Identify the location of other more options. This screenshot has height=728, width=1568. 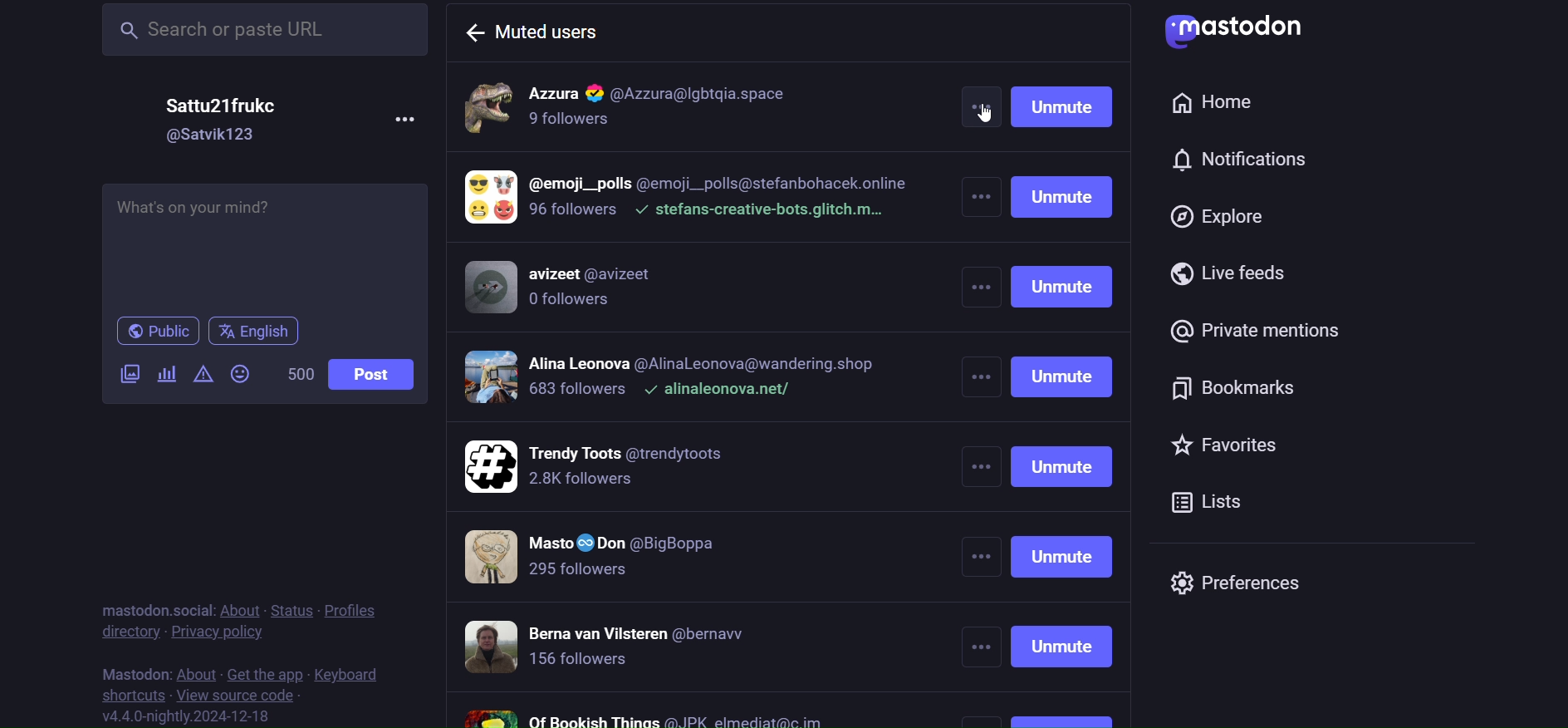
(982, 451).